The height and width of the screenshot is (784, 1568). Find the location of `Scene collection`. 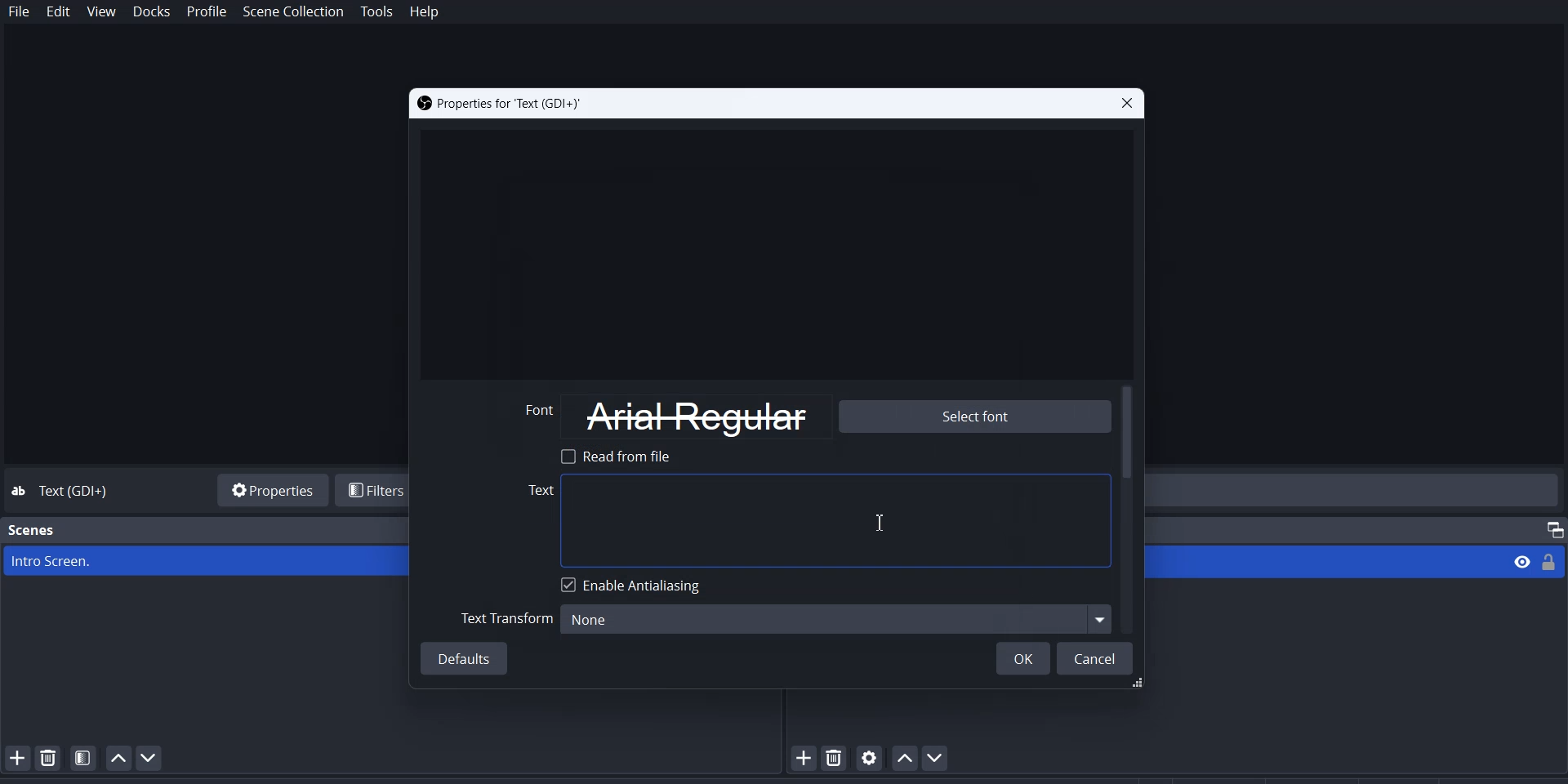

Scene collection is located at coordinates (295, 12).